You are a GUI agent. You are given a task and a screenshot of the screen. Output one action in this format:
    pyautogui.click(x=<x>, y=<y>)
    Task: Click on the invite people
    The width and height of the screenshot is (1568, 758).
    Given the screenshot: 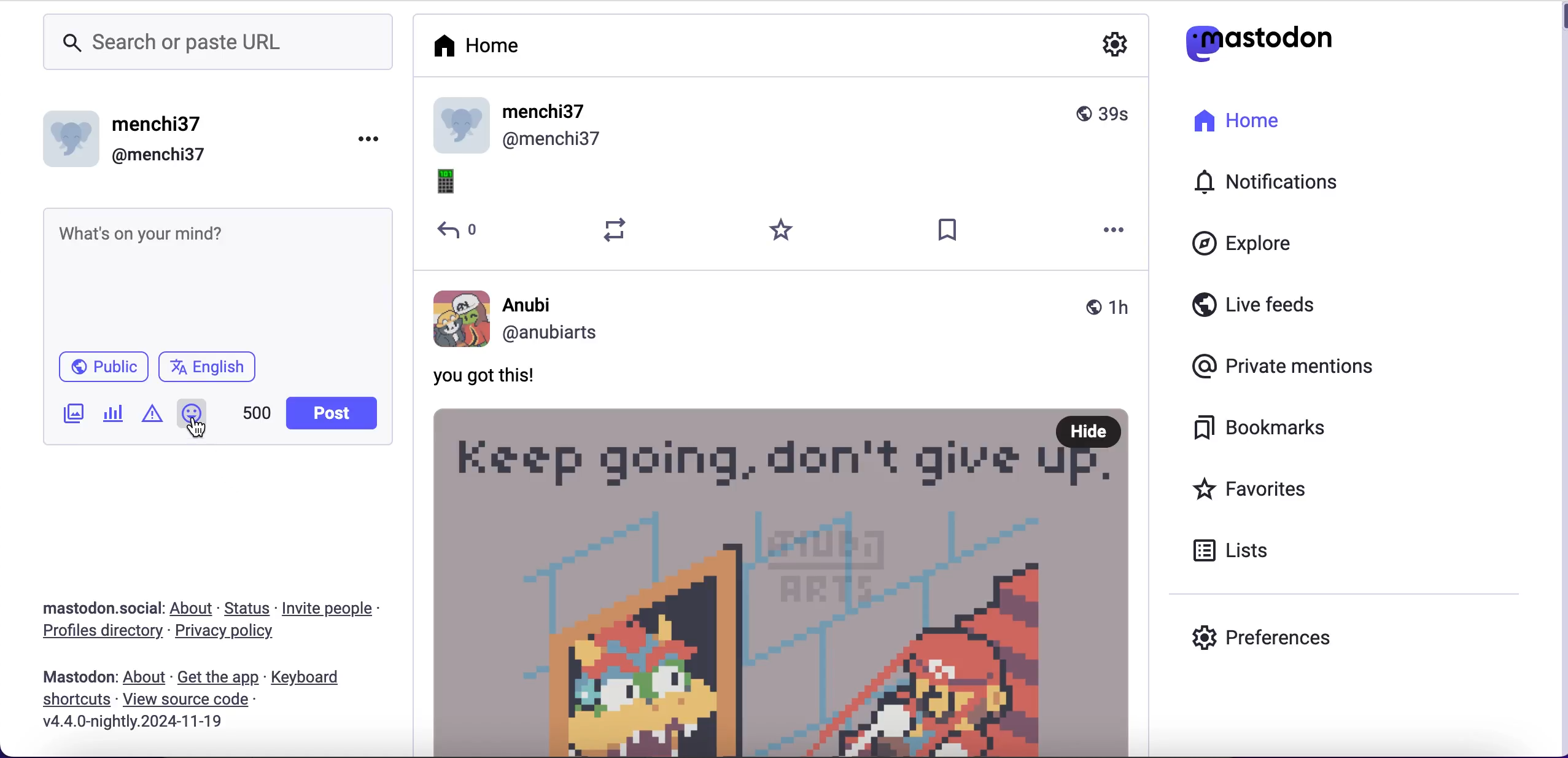 What is the action you would take?
    pyautogui.click(x=337, y=609)
    